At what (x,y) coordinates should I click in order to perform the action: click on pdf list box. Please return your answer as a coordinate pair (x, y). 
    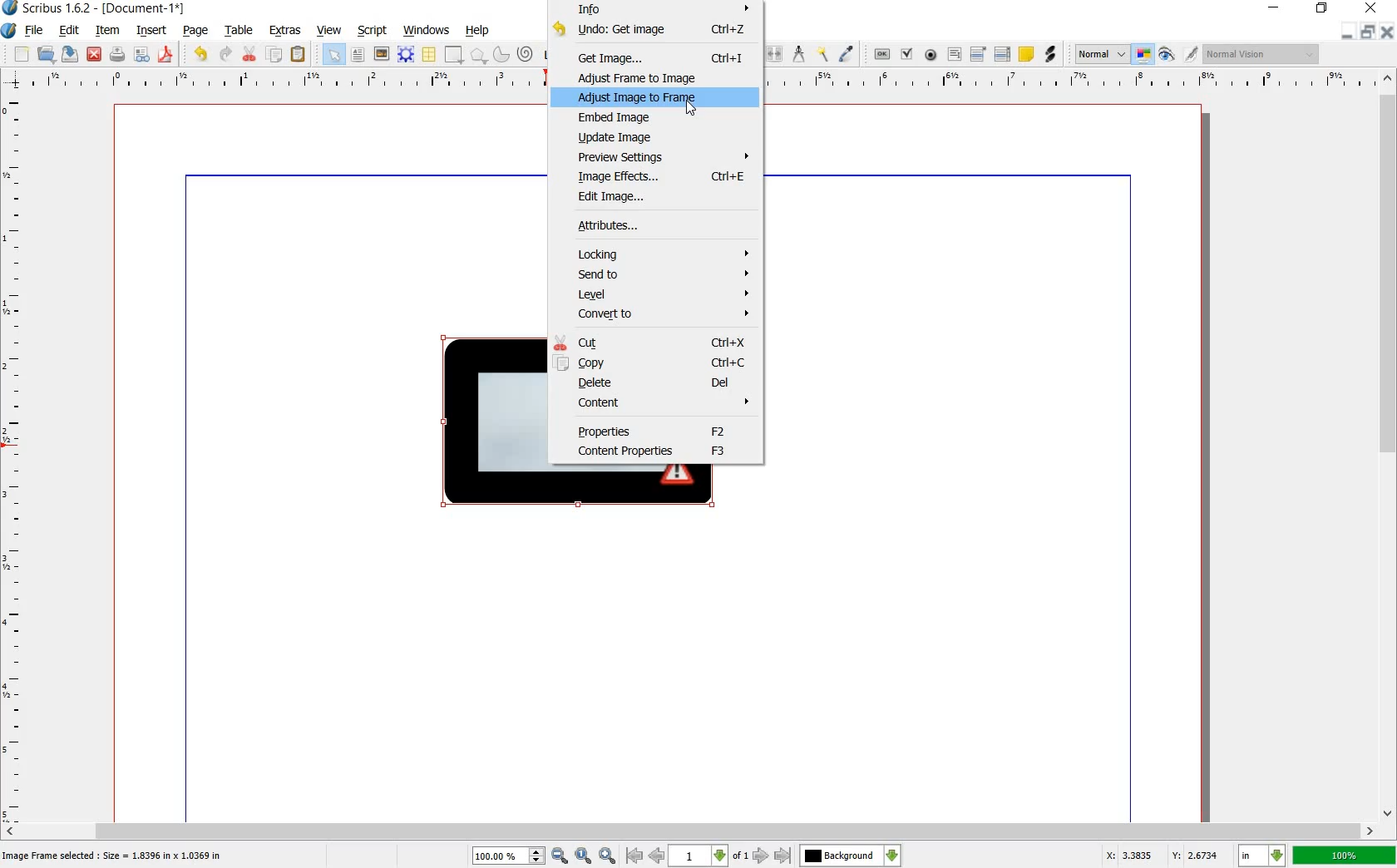
    Looking at the image, I should click on (1004, 55).